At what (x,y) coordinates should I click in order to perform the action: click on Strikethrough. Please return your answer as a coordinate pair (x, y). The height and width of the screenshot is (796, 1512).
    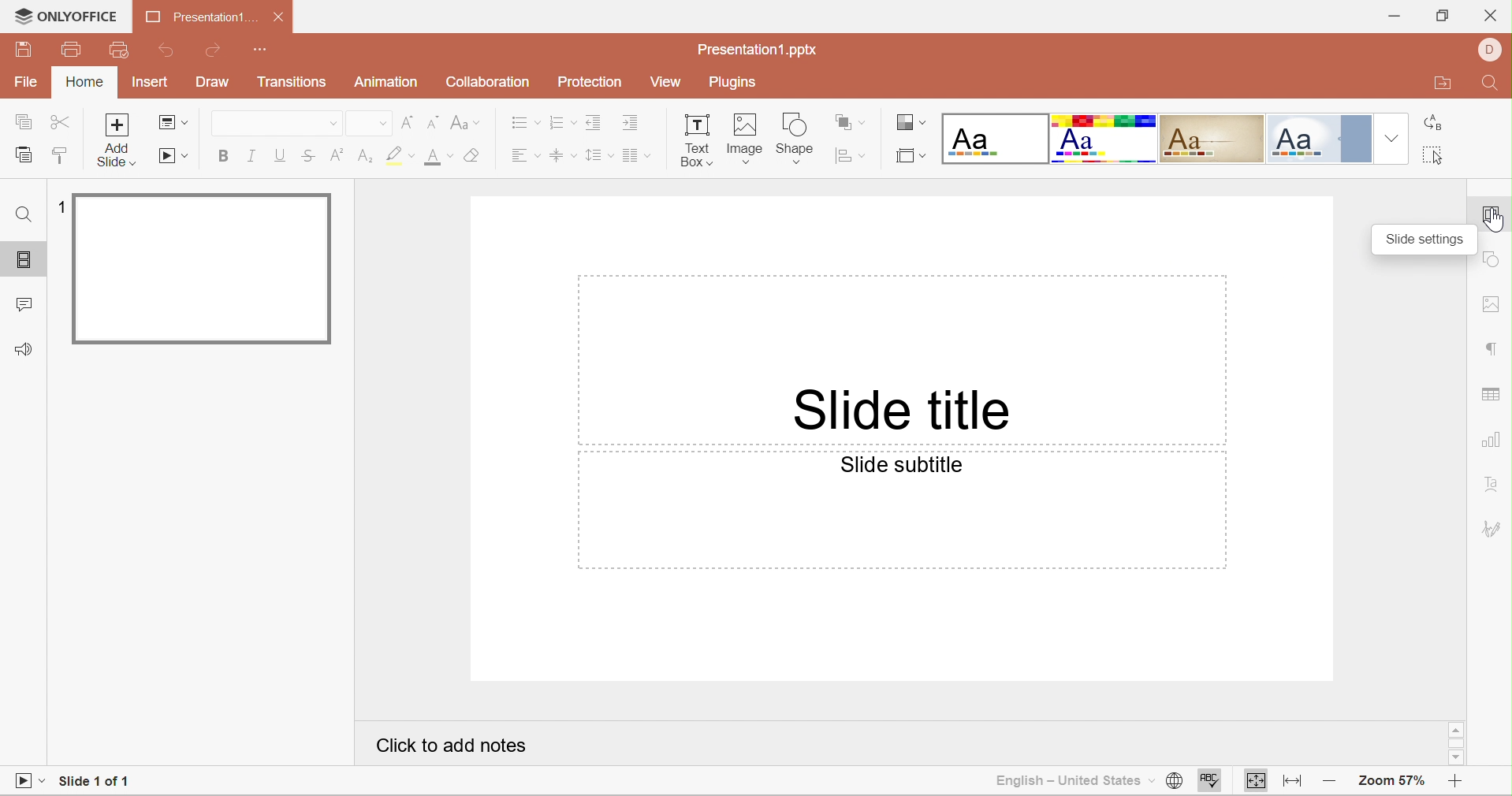
    Looking at the image, I should click on (307, 158).